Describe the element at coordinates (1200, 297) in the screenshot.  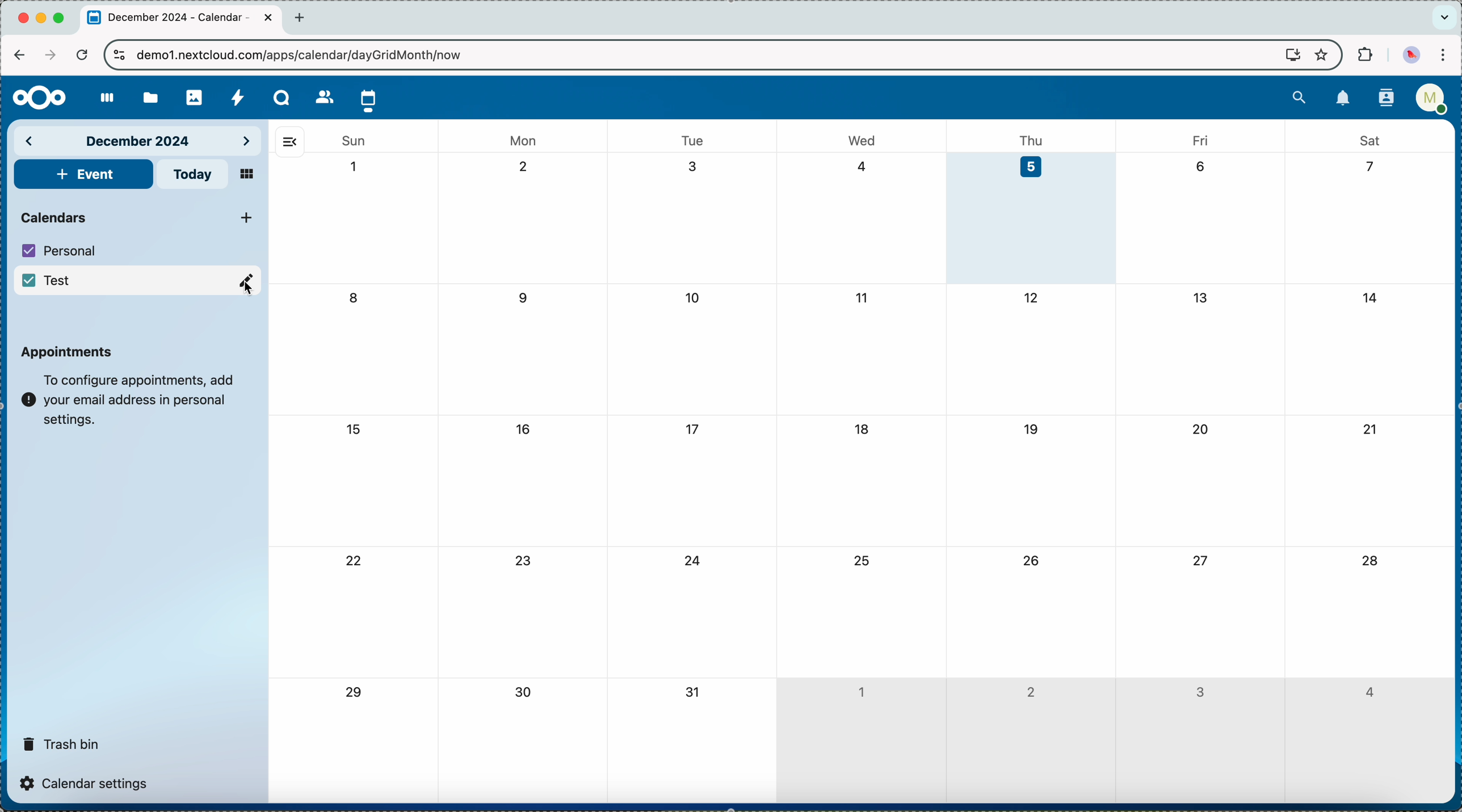
I see `13` at that location.